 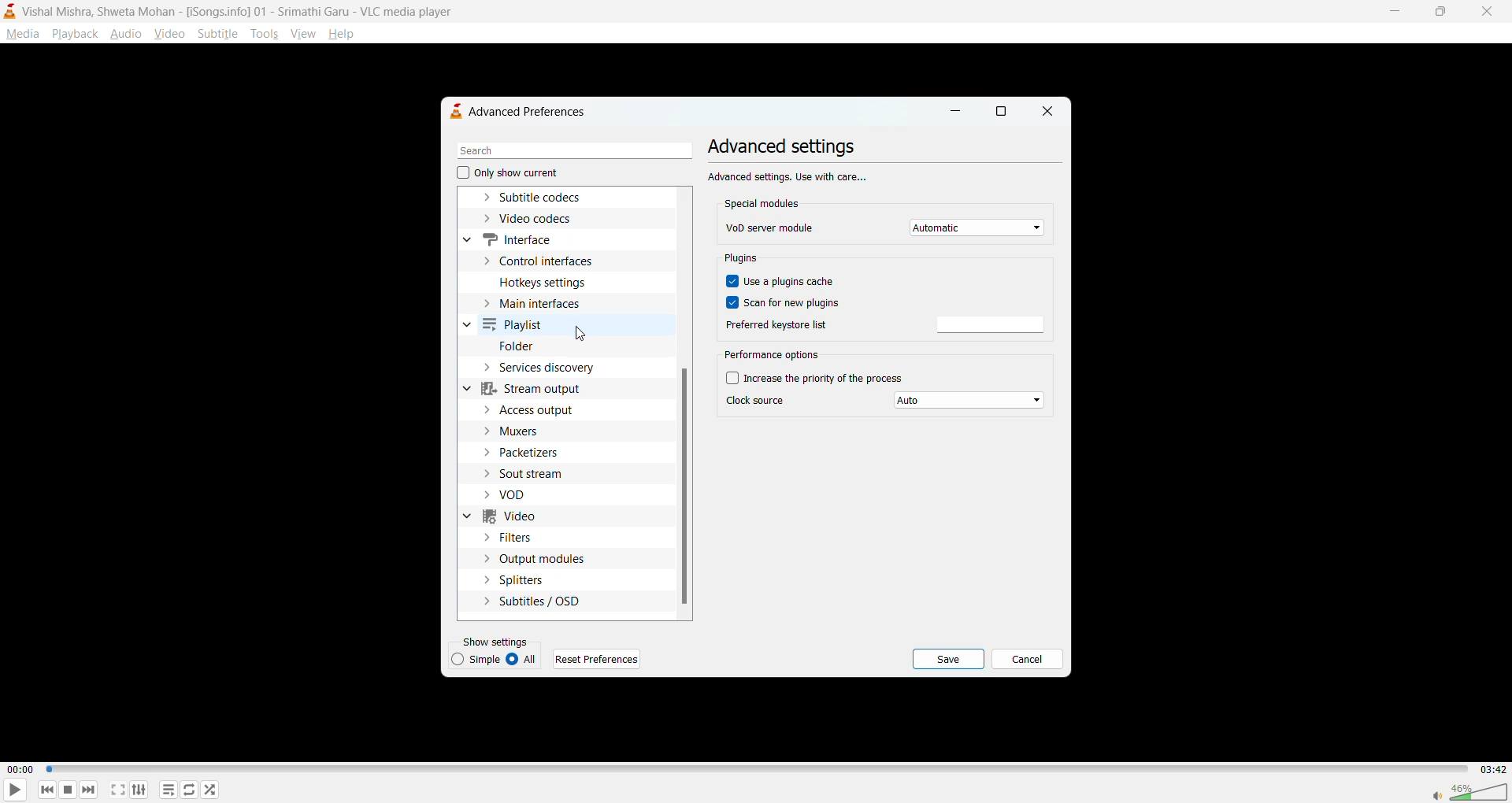 What do you see at coordinates (991, 325) in the screenshot?
I see `preferred keyword list` at bounding box center [991, 325].